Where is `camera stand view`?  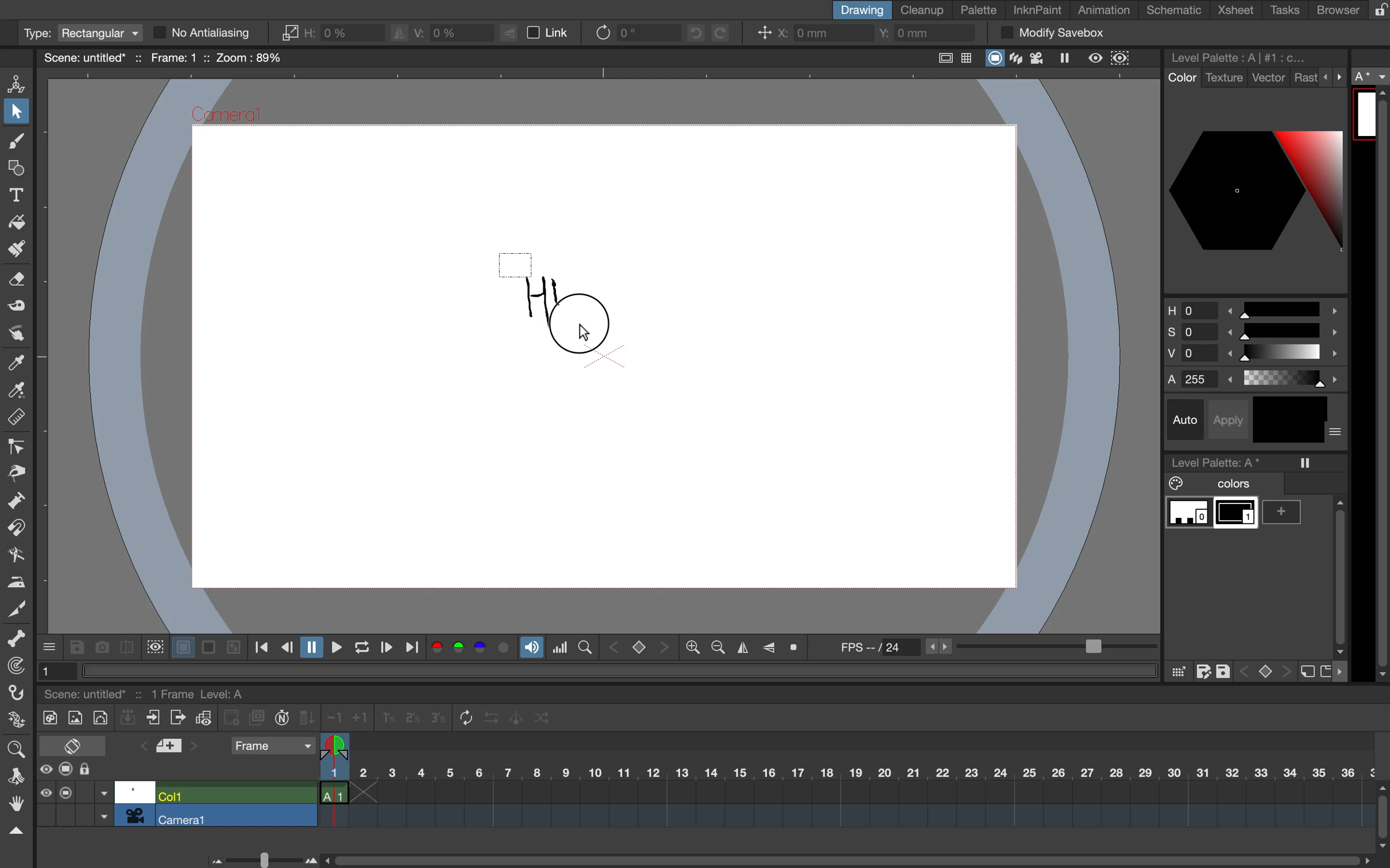
camera stand view is located at coordinates (993, 59).